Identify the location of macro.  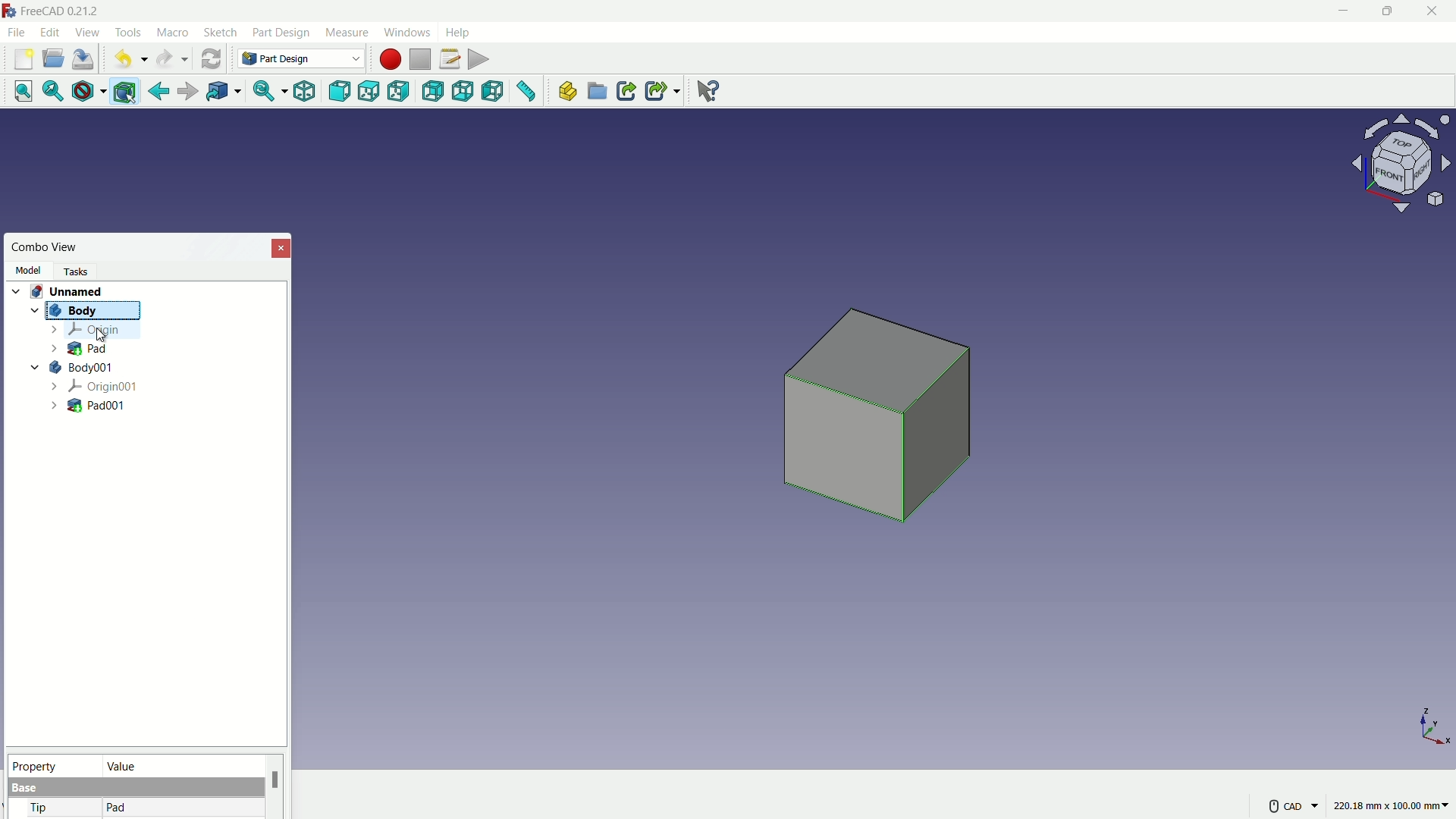
(174, 33).